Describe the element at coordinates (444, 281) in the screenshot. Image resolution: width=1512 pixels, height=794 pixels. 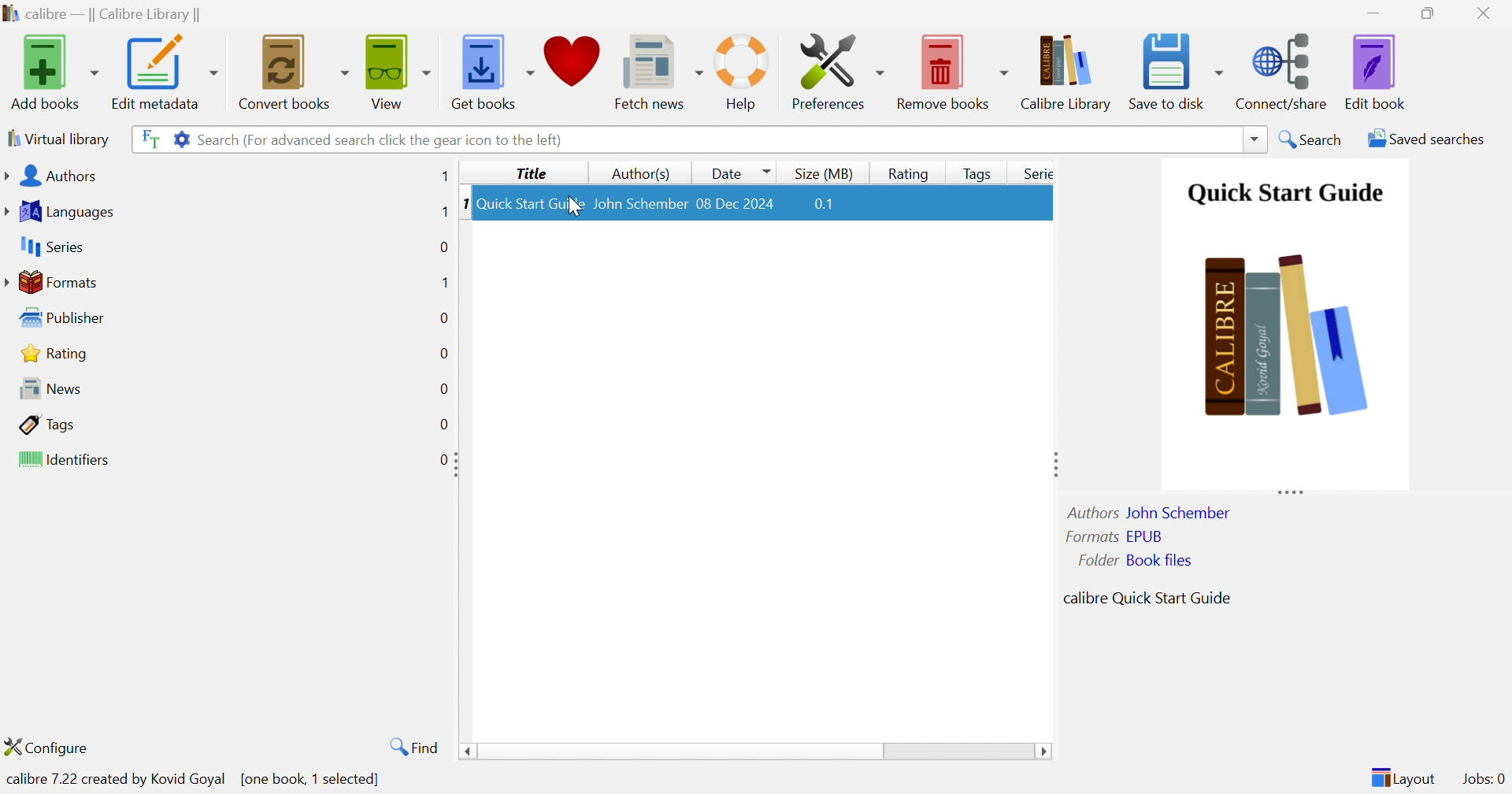
I see `1` at that location.